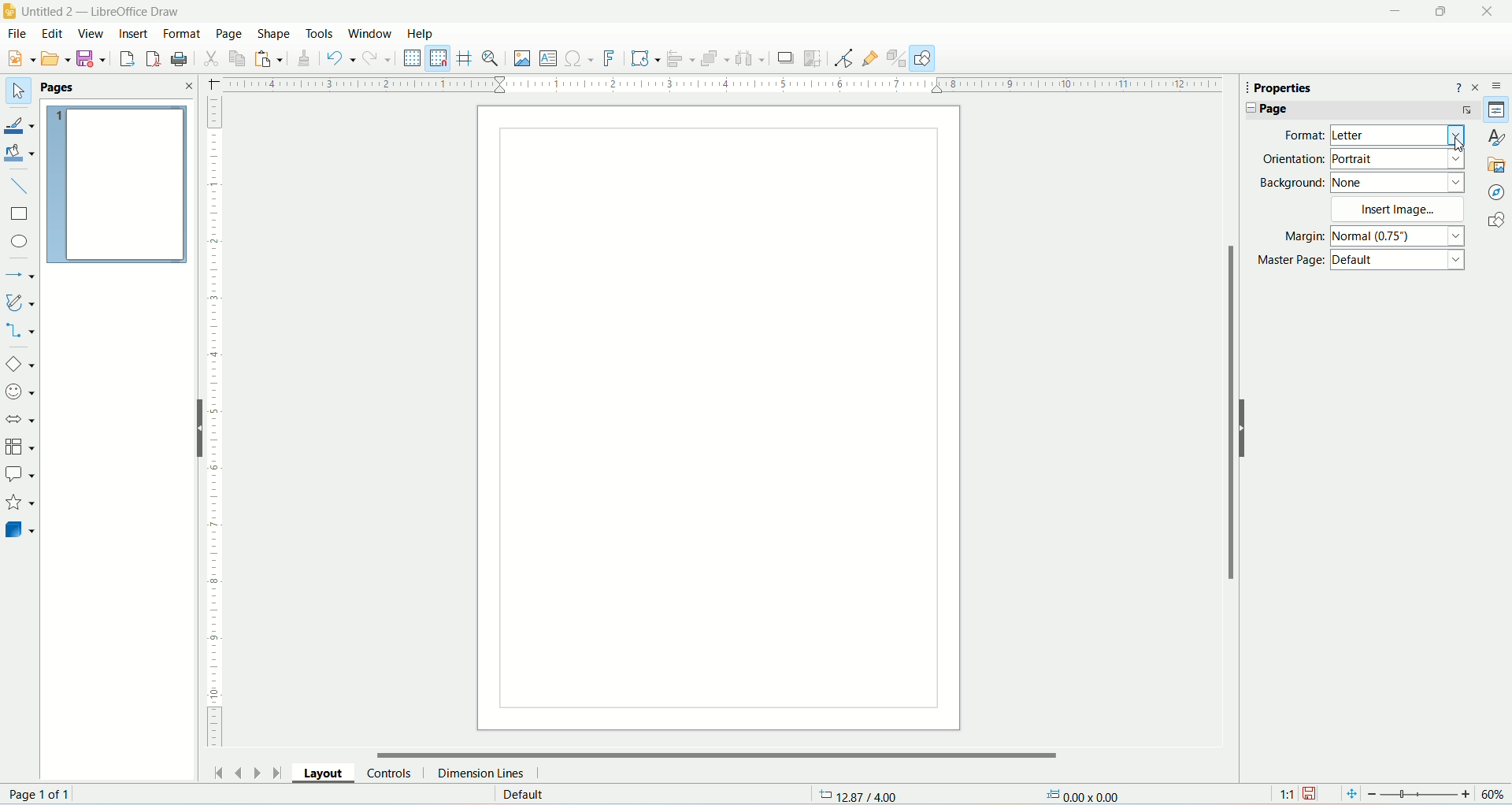 This screenshot has height=805, width=1512. What do you see at coordinates (20, 532) in the screenshot?
I see `3D objects` at bounding box center [20, 532].